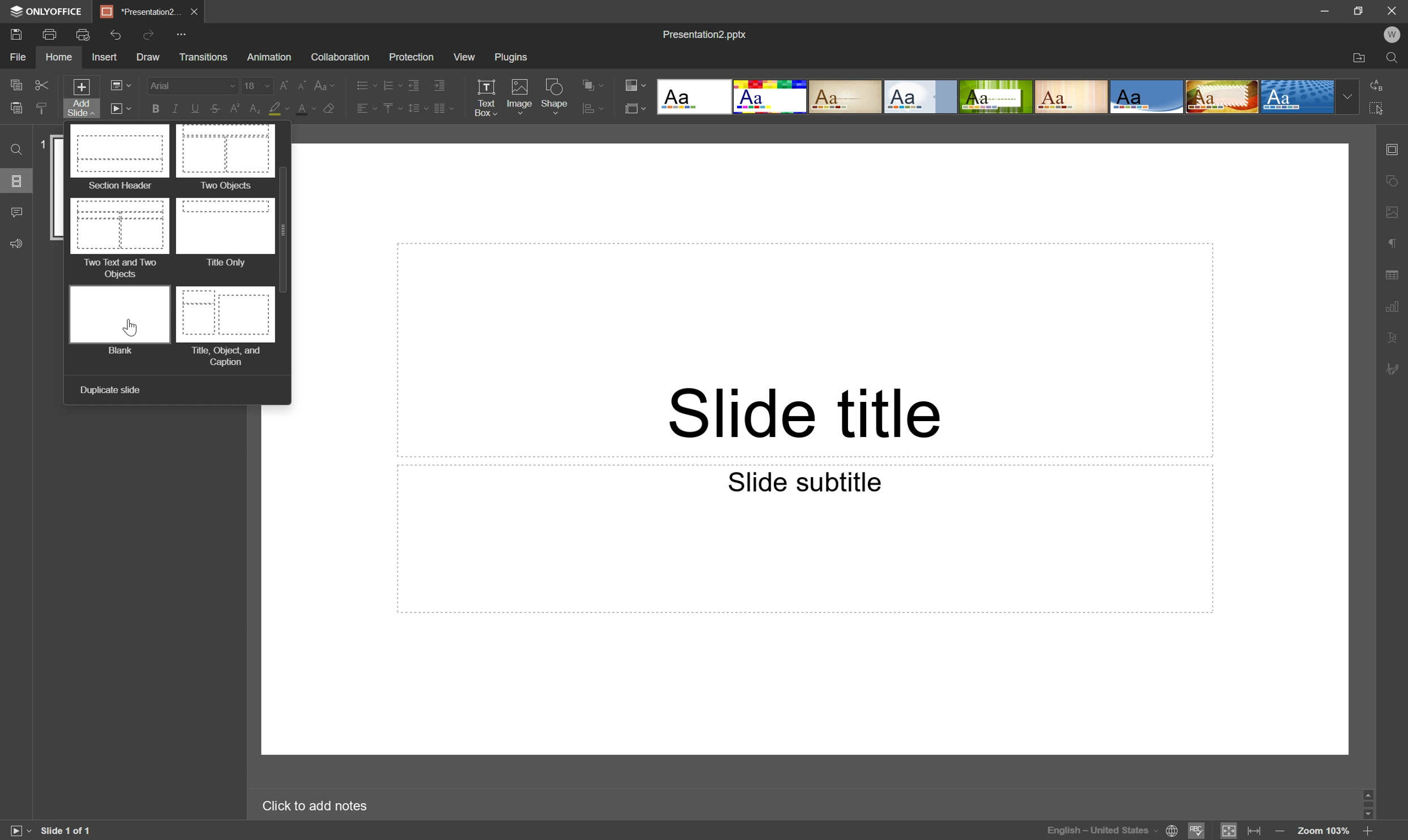  I want to click on Scroll Bar, so click(1370, 800).